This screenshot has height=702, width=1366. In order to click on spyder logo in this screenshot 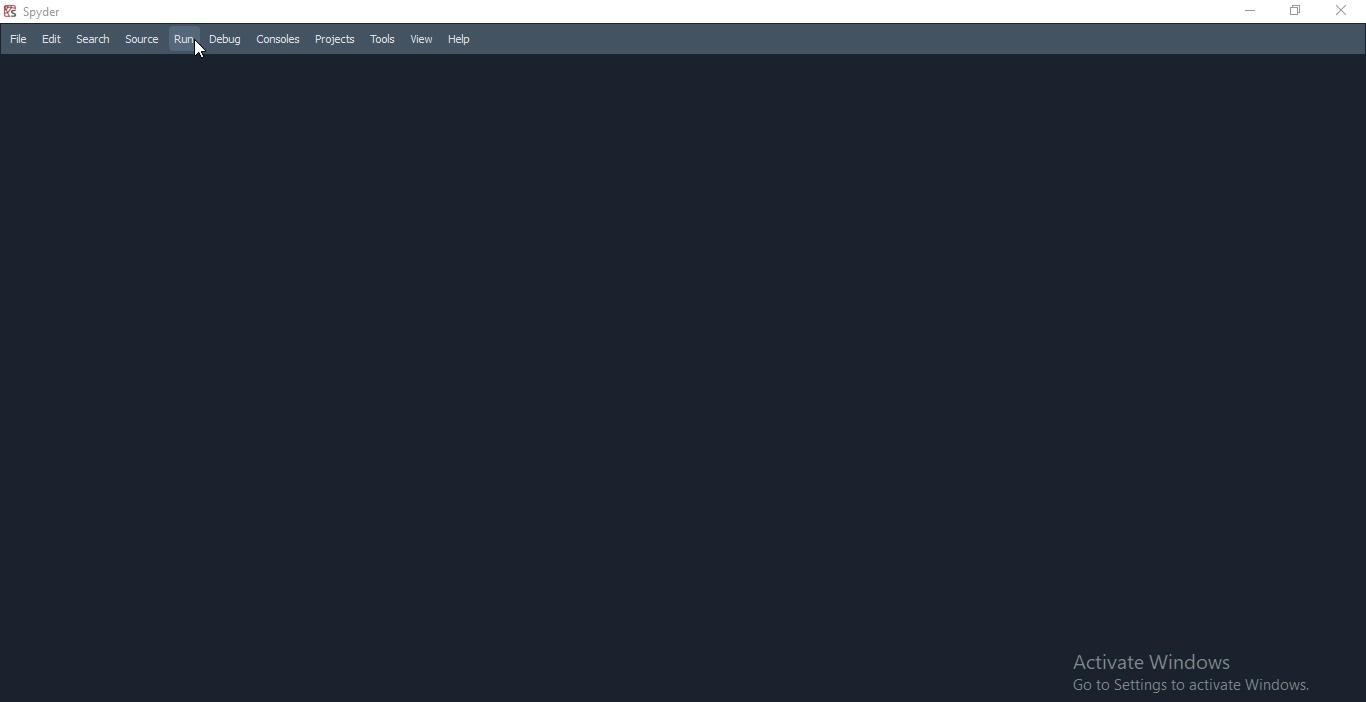, I will do `click(9, 10)`.